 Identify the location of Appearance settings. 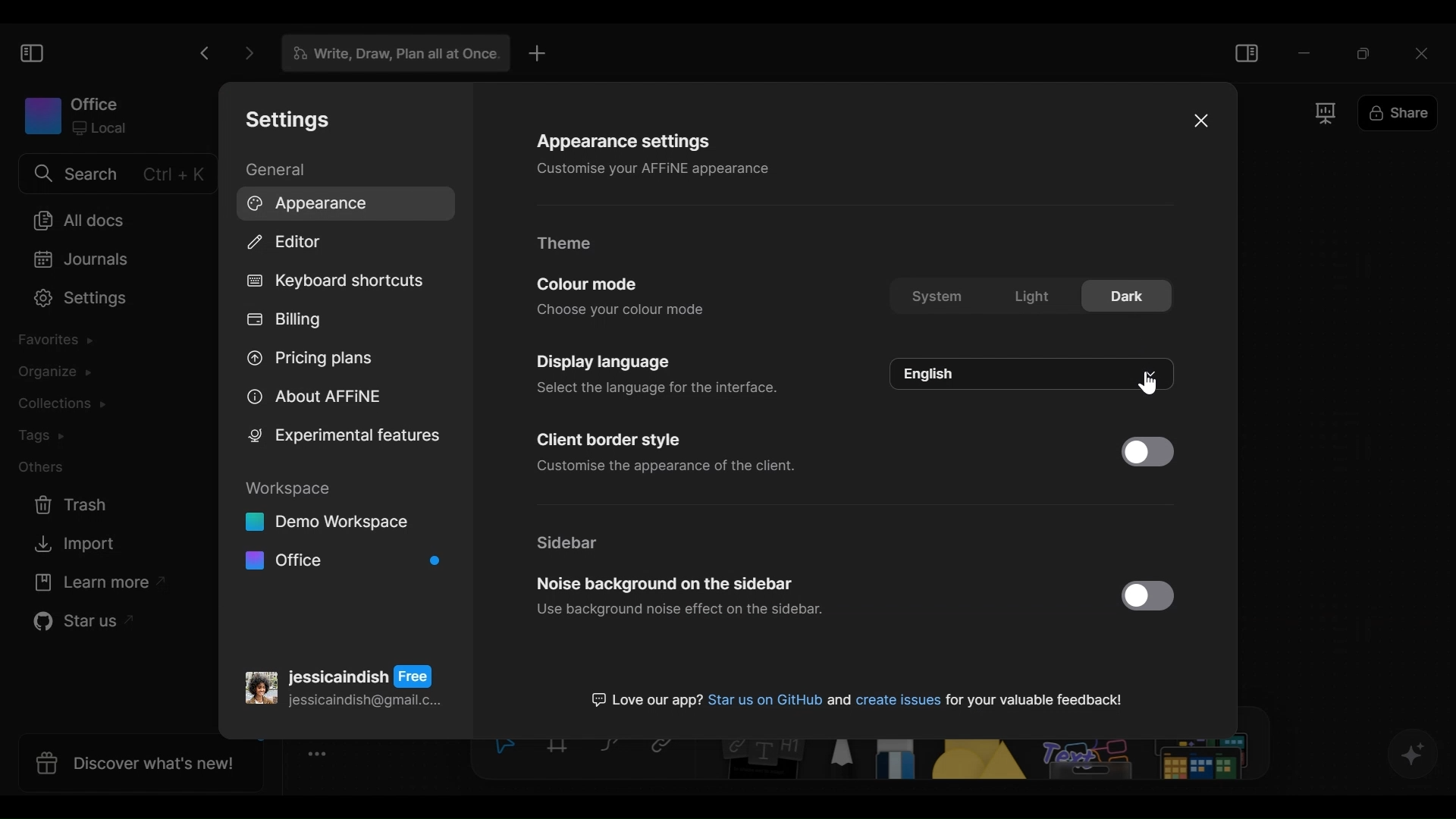
(656, 152).